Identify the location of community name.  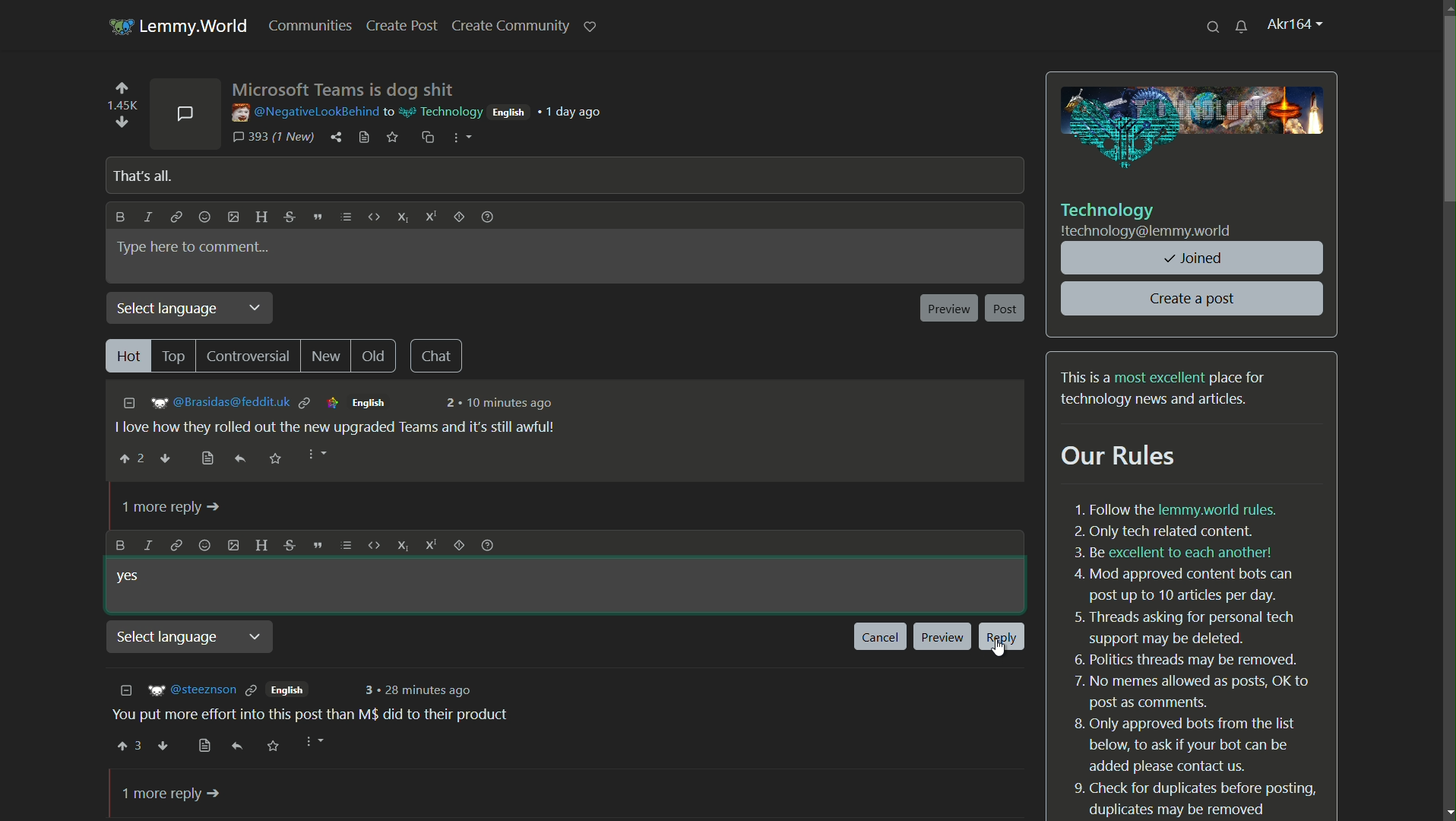
(1109, 210).